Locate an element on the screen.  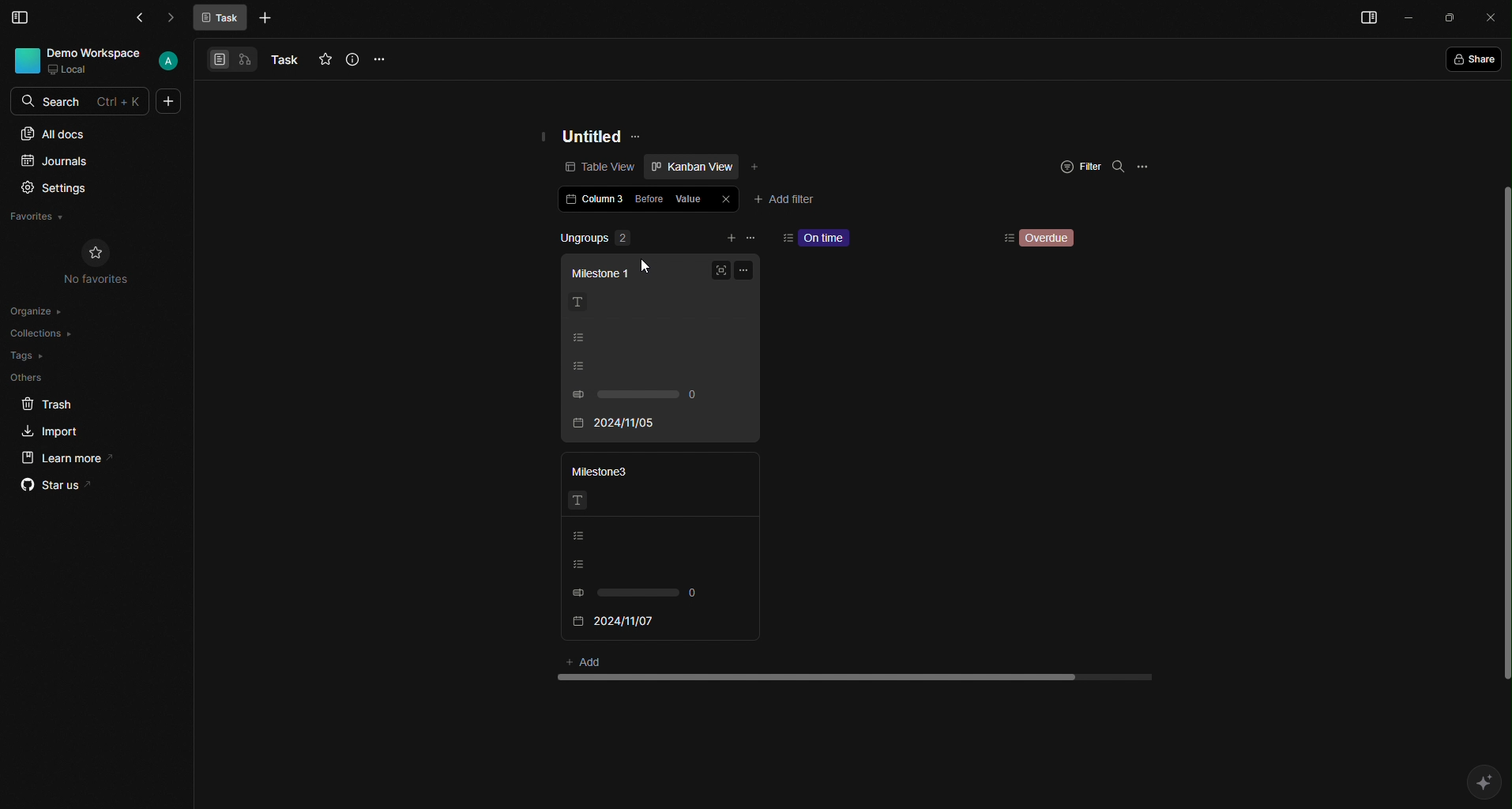
Task is located at coordinates (284, 60).